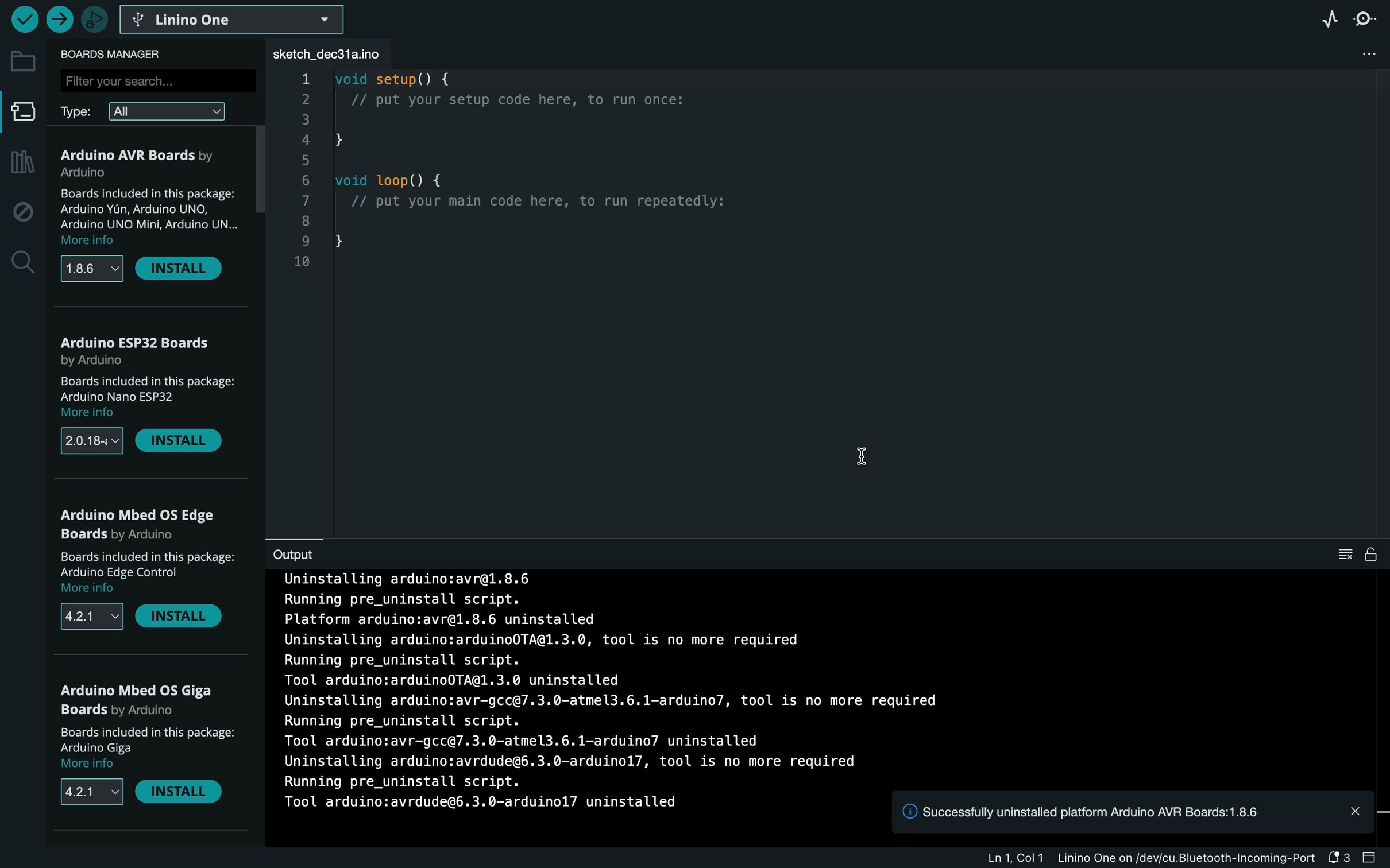 This screenshot has width=1390, height=868. I want to click on debug, so click(23, 210).